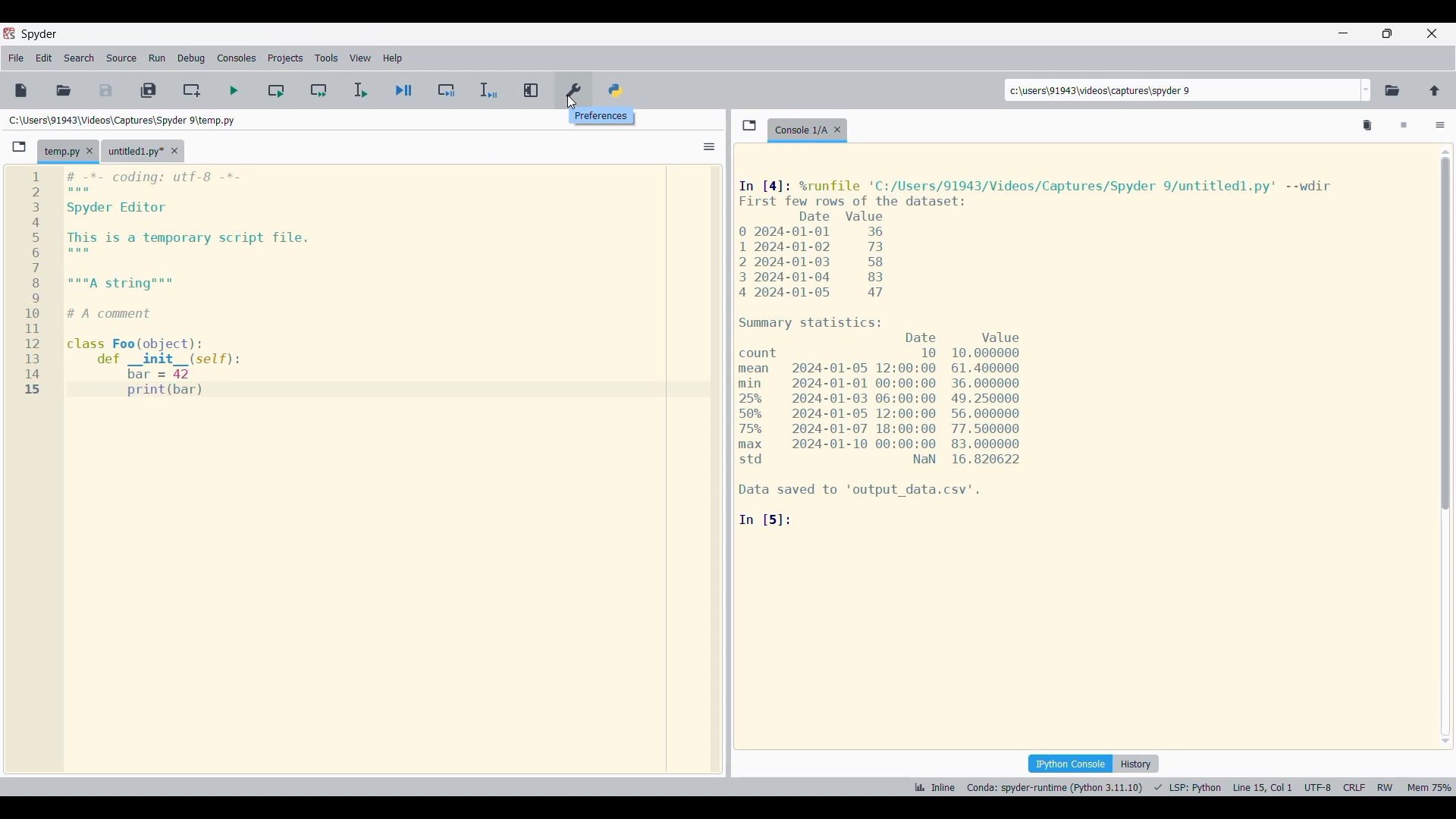  Describe the element at coordinates (447, 91) in the screenshot. I see `Debug cell` at that location.